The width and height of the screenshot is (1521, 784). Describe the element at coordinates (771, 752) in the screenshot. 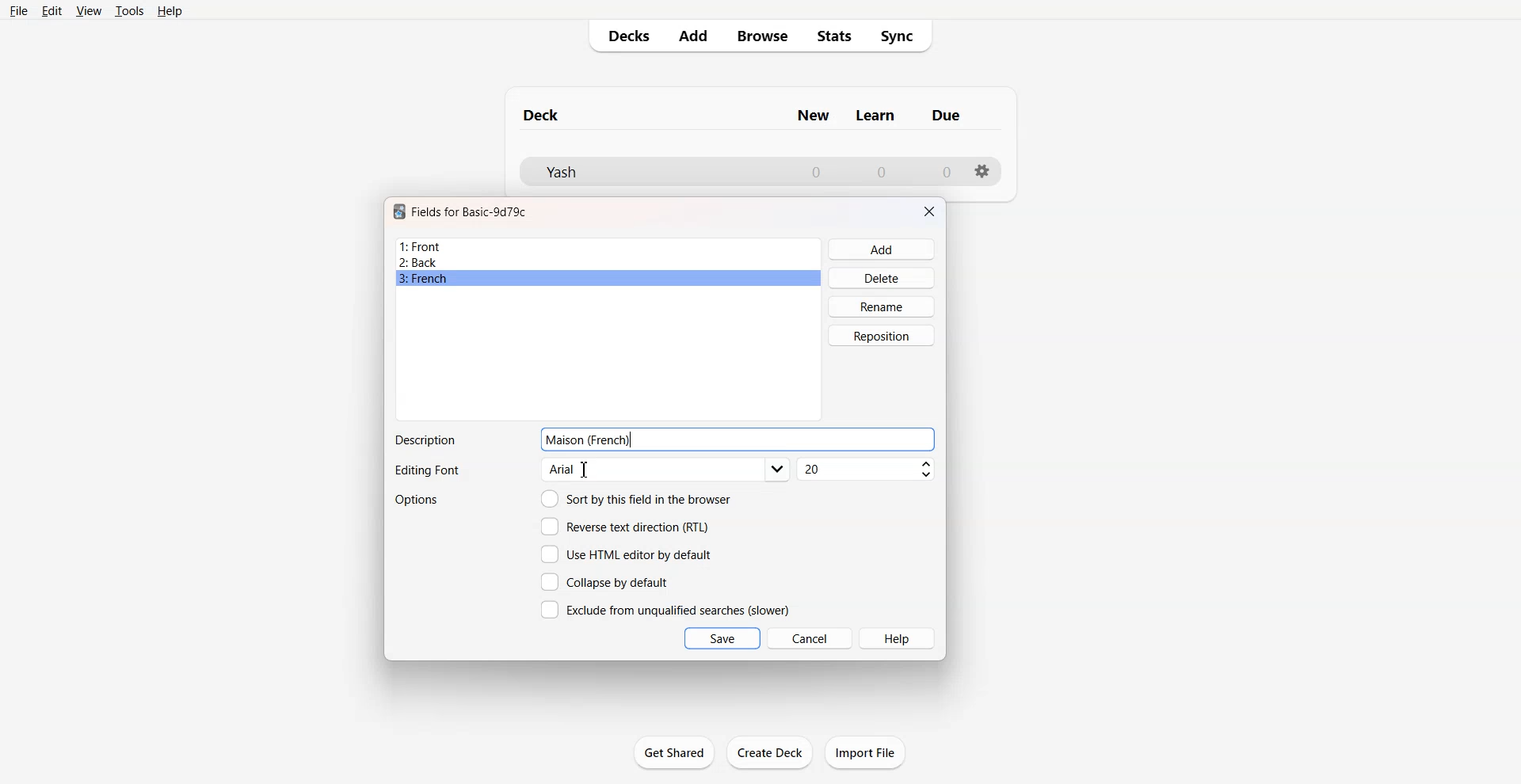

I see `Create Deck` at that location.